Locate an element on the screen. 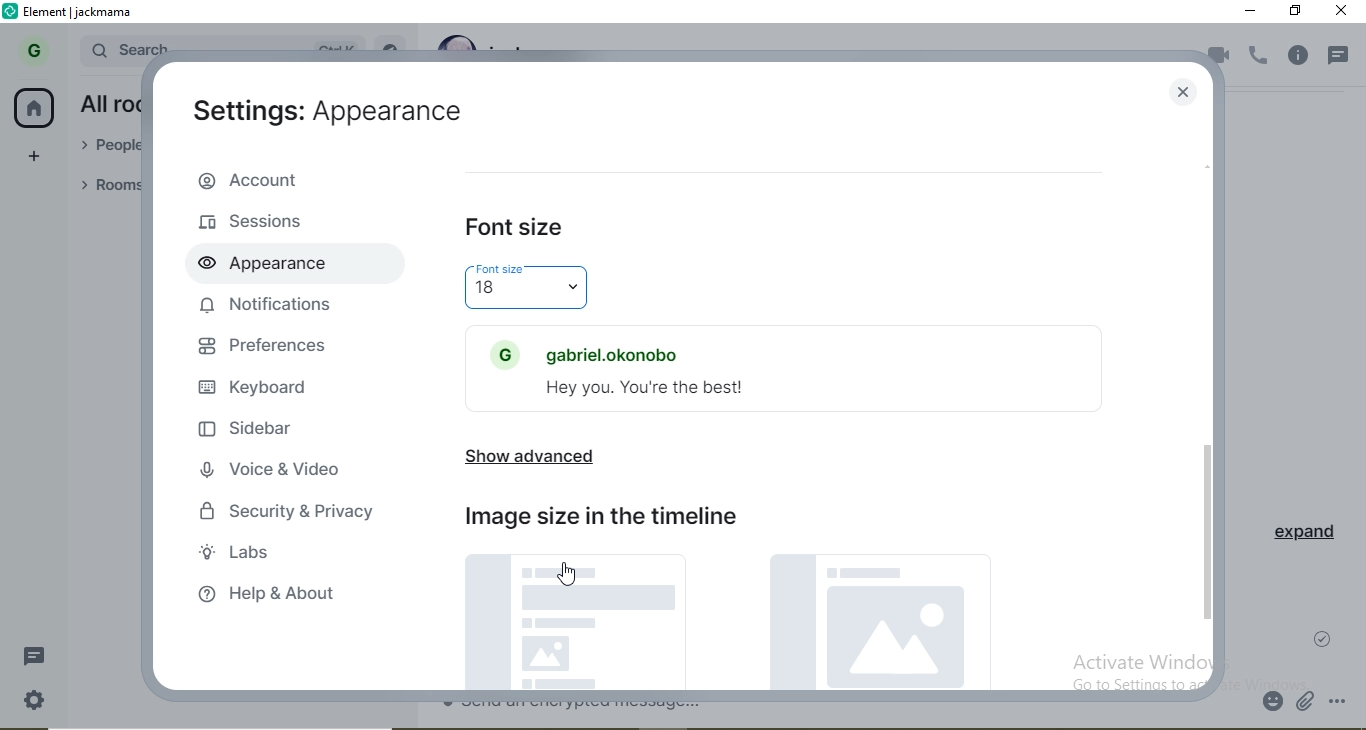  people is located at coordinates (109, 148).